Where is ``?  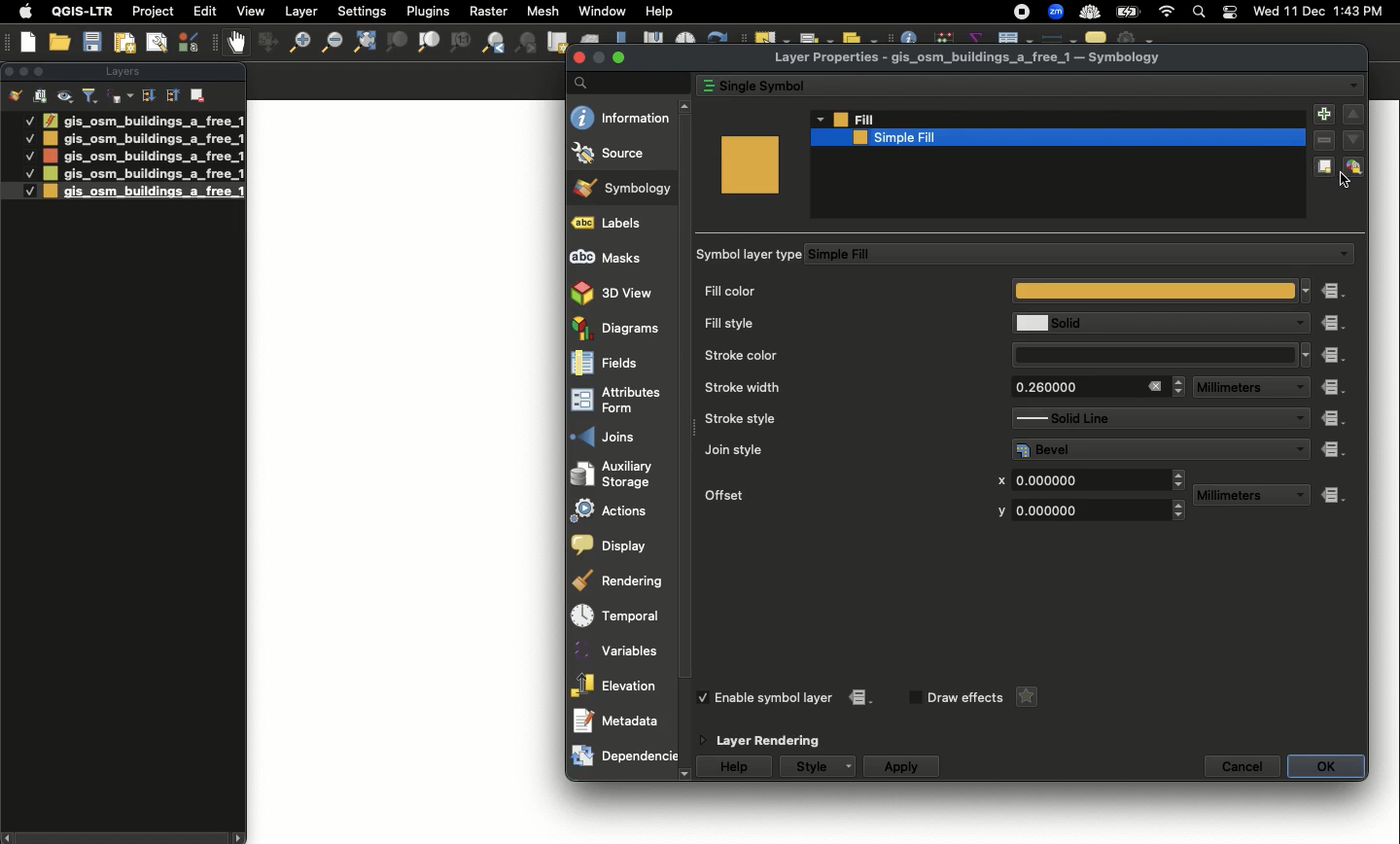  is located at coordinates (1337, 387).